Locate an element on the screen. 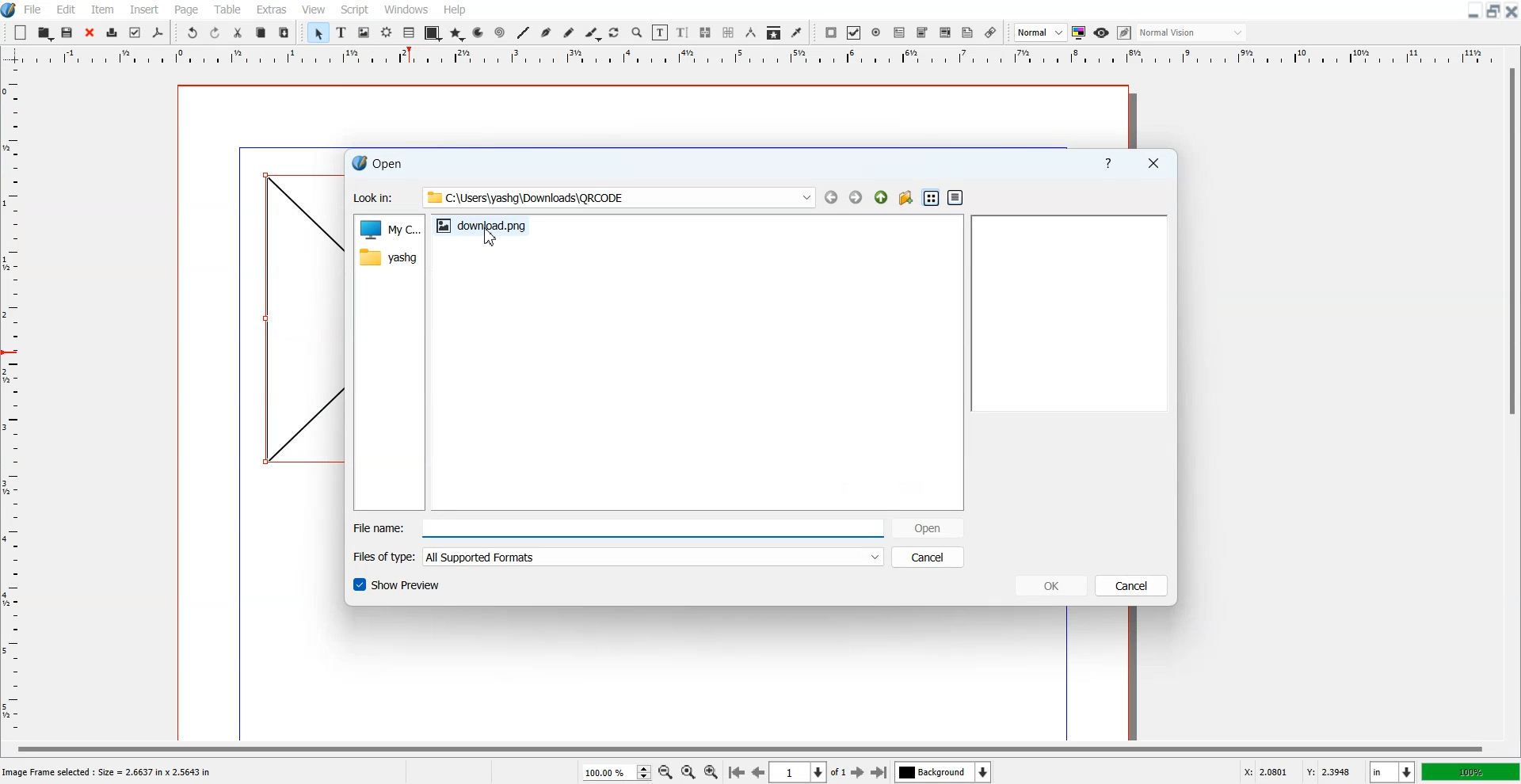  100% is located at coordinates (1470, 771).